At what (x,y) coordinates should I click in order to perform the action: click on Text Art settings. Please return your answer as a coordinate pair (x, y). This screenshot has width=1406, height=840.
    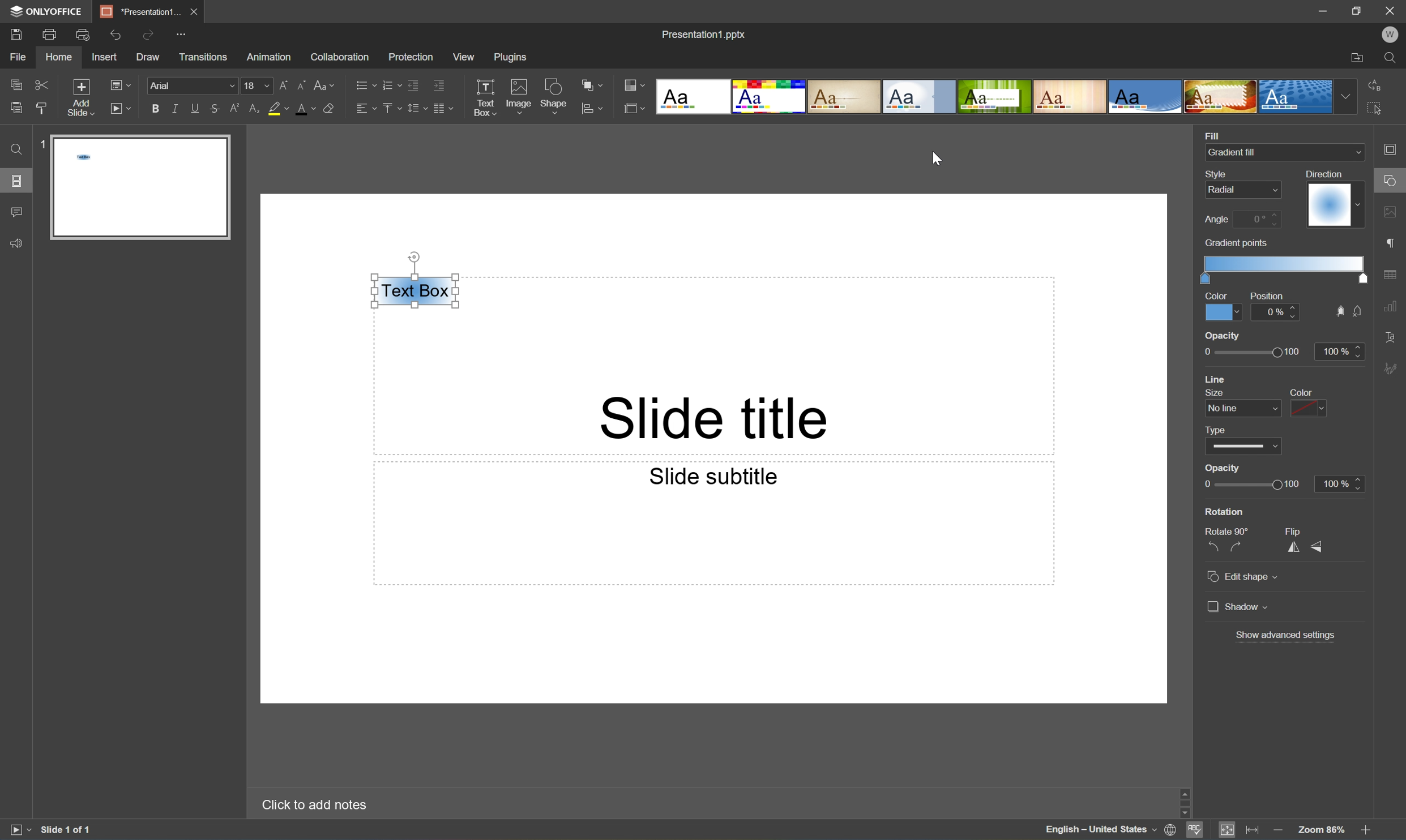
    Looking at the image, I should click on (1394, 337).